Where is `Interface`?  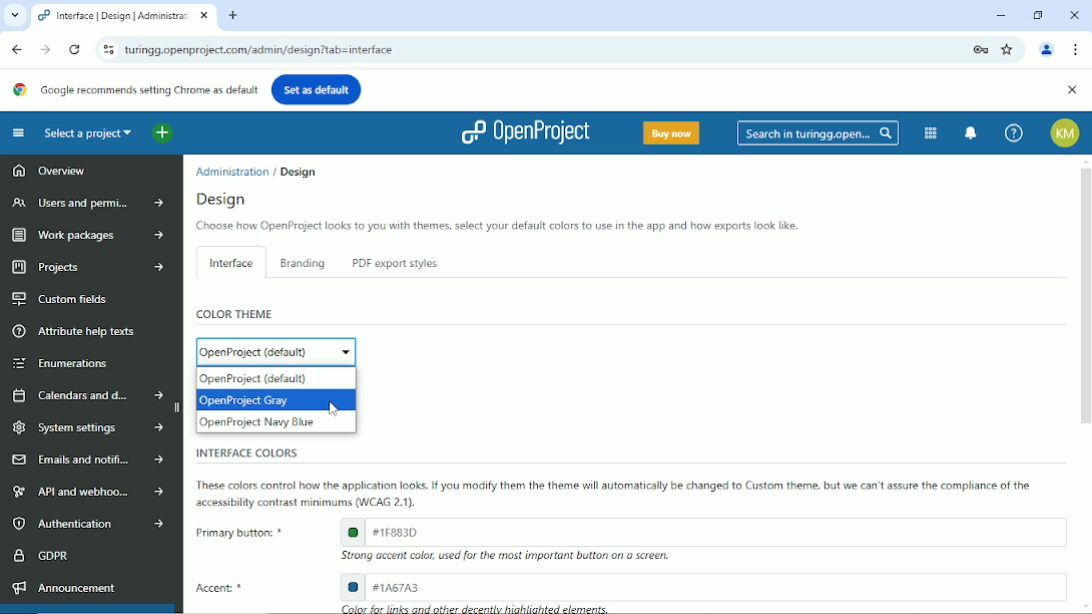
Interface is located at coordinates (228, 261).